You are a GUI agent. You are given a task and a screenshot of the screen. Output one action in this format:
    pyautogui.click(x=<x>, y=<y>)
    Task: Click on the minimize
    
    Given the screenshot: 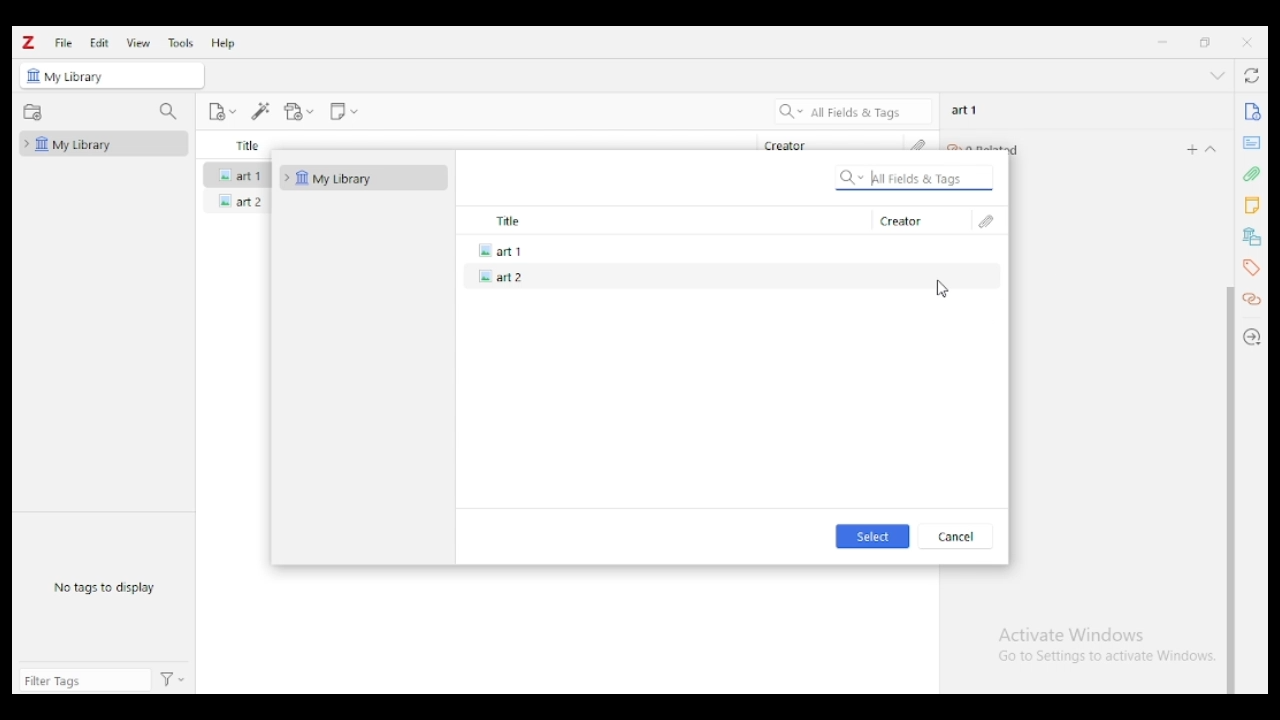 What is the action you would take?
    pyautogui.click(x=1162, y=42)
    